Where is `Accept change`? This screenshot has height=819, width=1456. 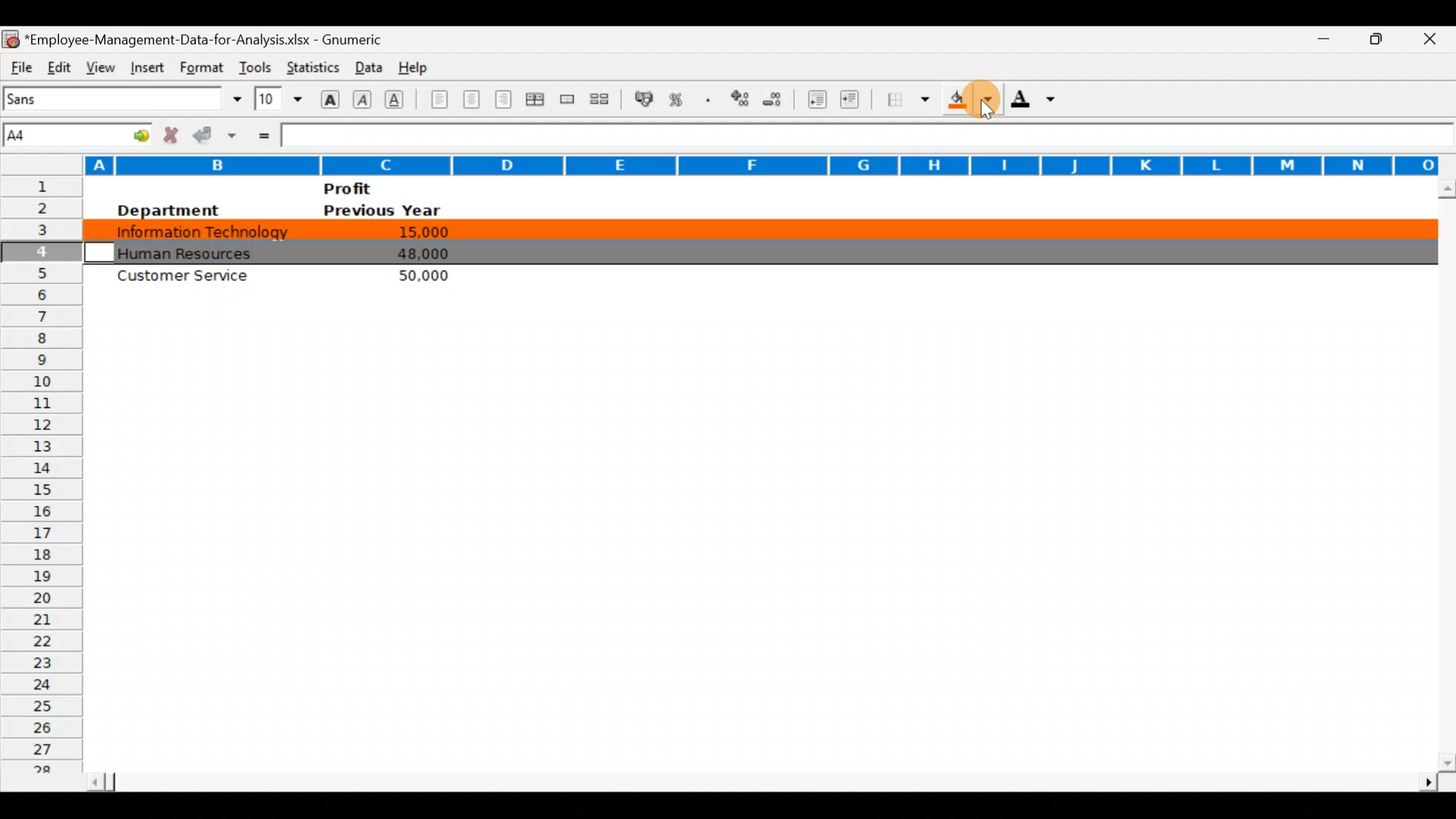
Accept change is located at coordinates (217, 134).